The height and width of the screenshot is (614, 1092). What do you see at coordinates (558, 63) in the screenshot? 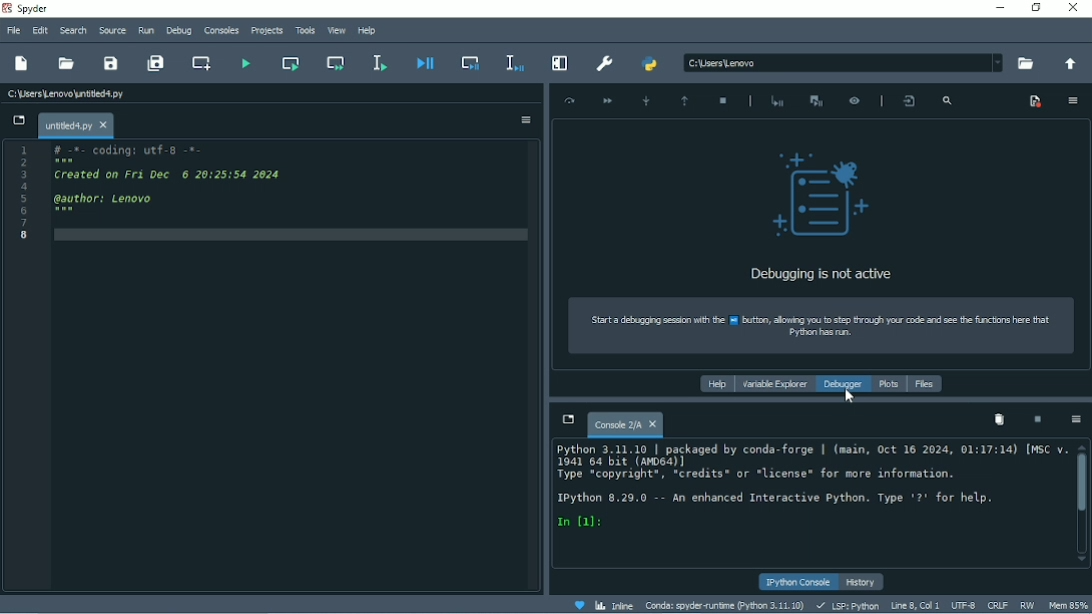
I see `Maximize current pane` at bounding box center [558, 63].